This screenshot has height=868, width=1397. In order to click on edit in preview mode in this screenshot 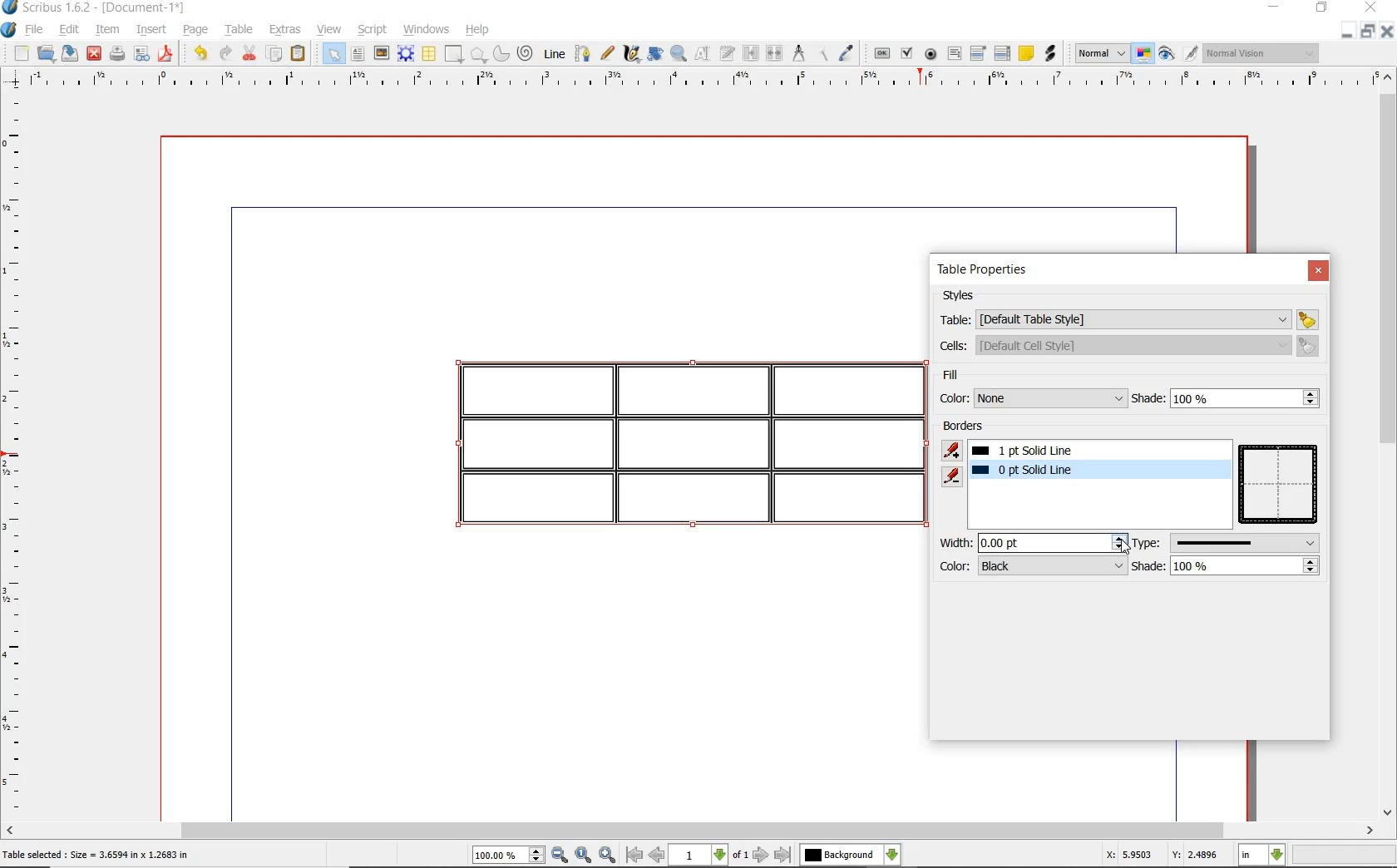, I will do `click(1190, 54)`.